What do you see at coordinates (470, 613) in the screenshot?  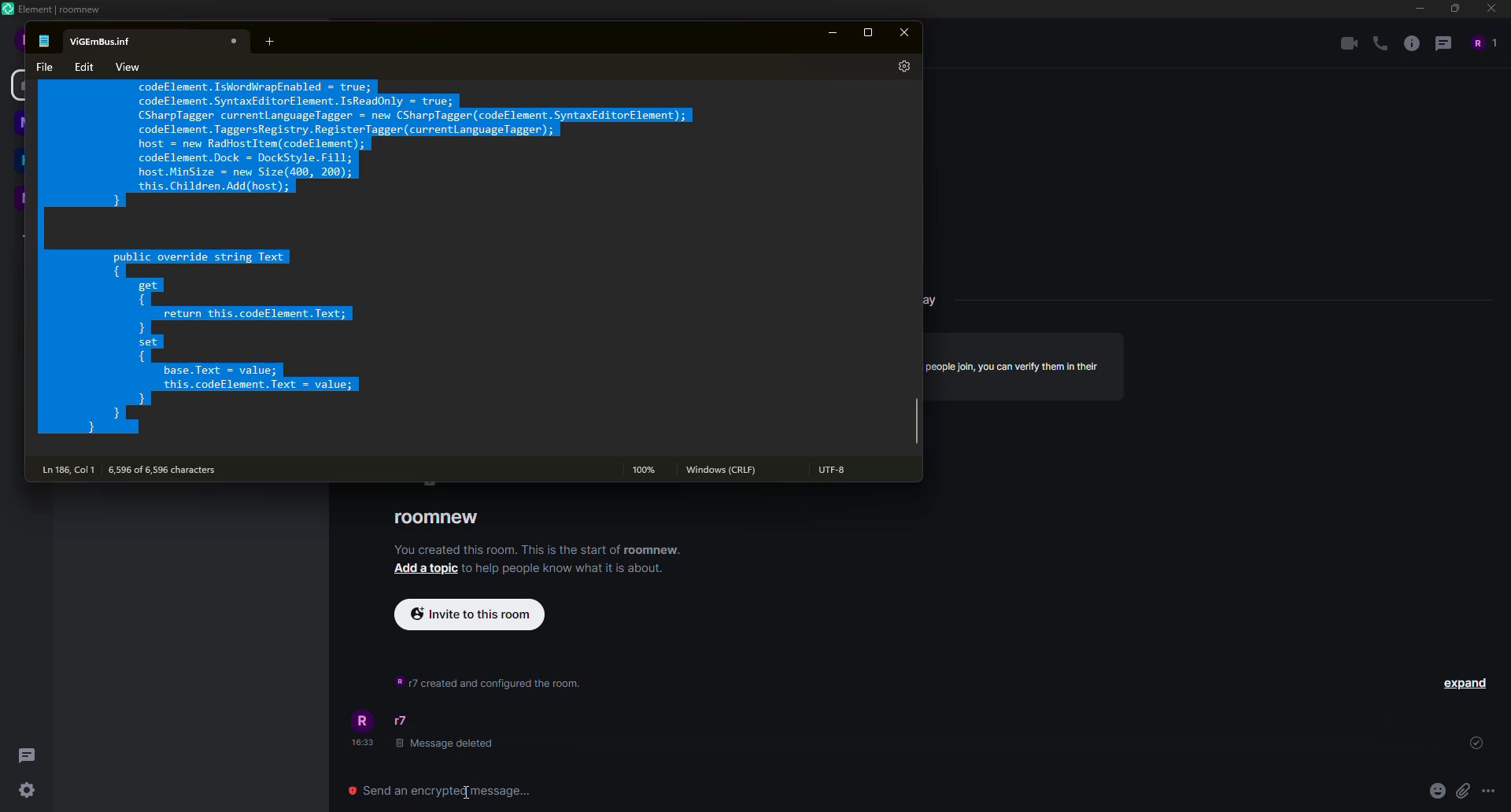 I see `invite to this room` at bounding box center [470, 613].